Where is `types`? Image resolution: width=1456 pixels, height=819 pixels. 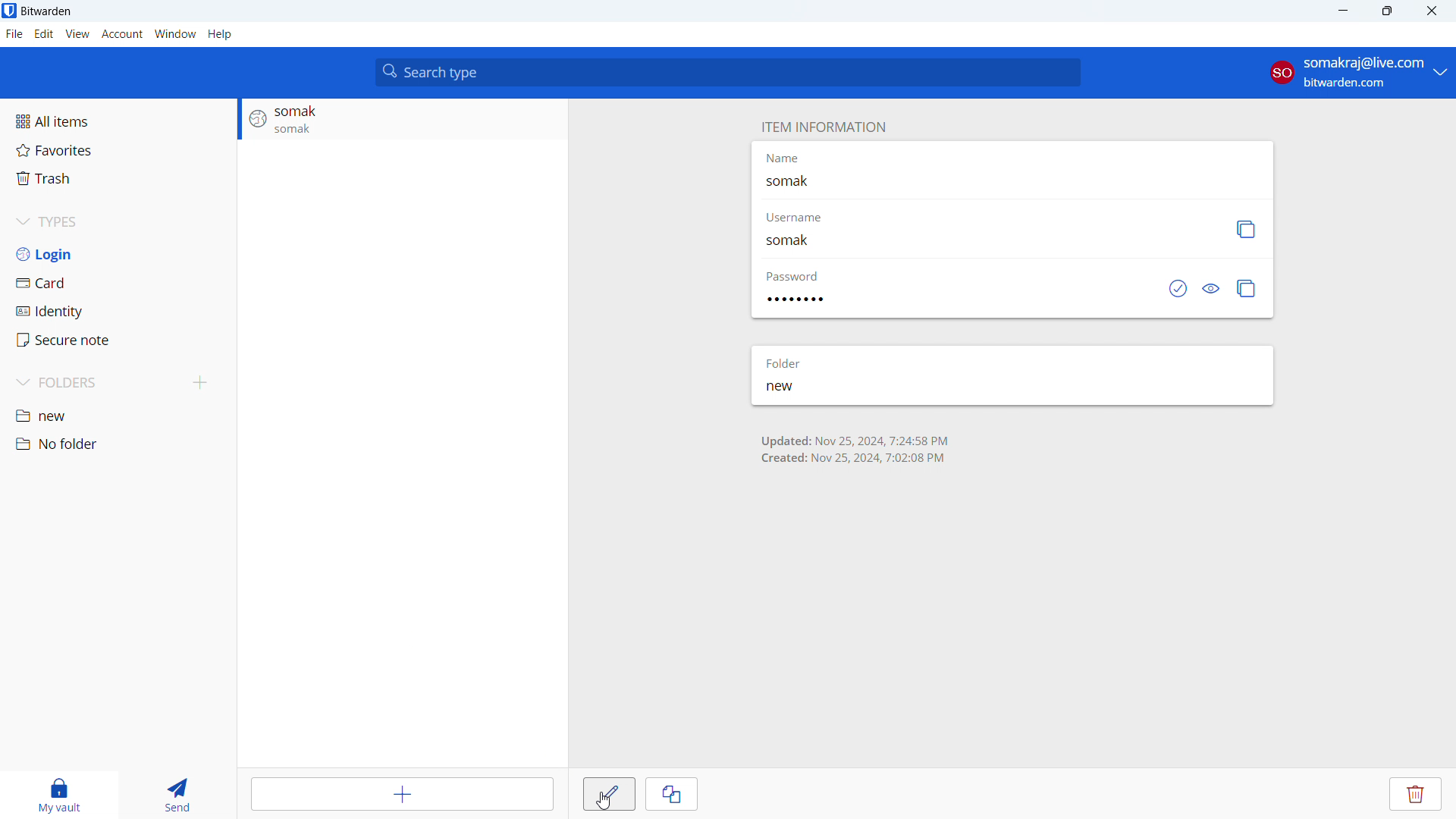
types is located at coordinates (118, 221).